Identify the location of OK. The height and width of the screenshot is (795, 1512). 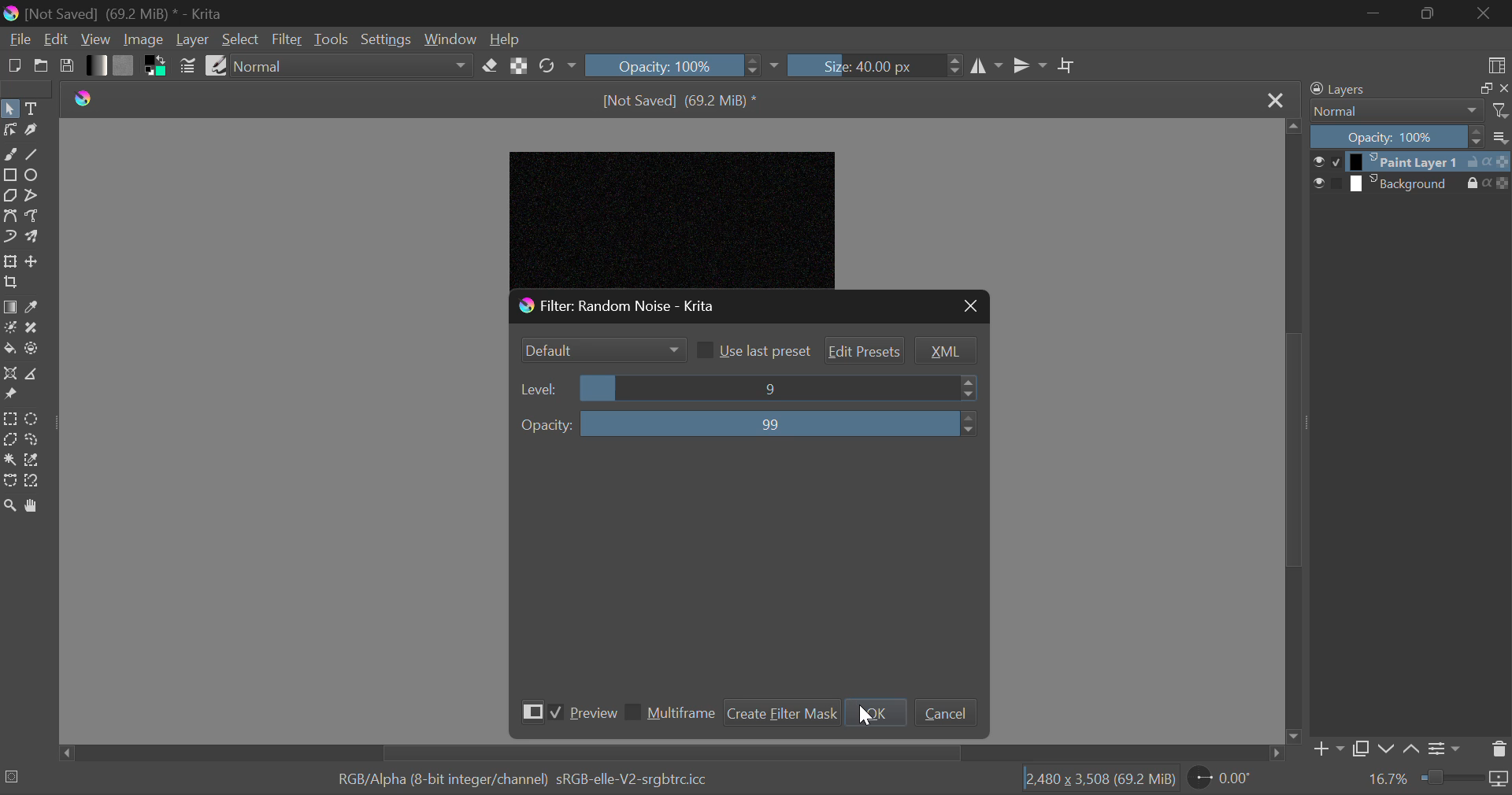
(879, 712).